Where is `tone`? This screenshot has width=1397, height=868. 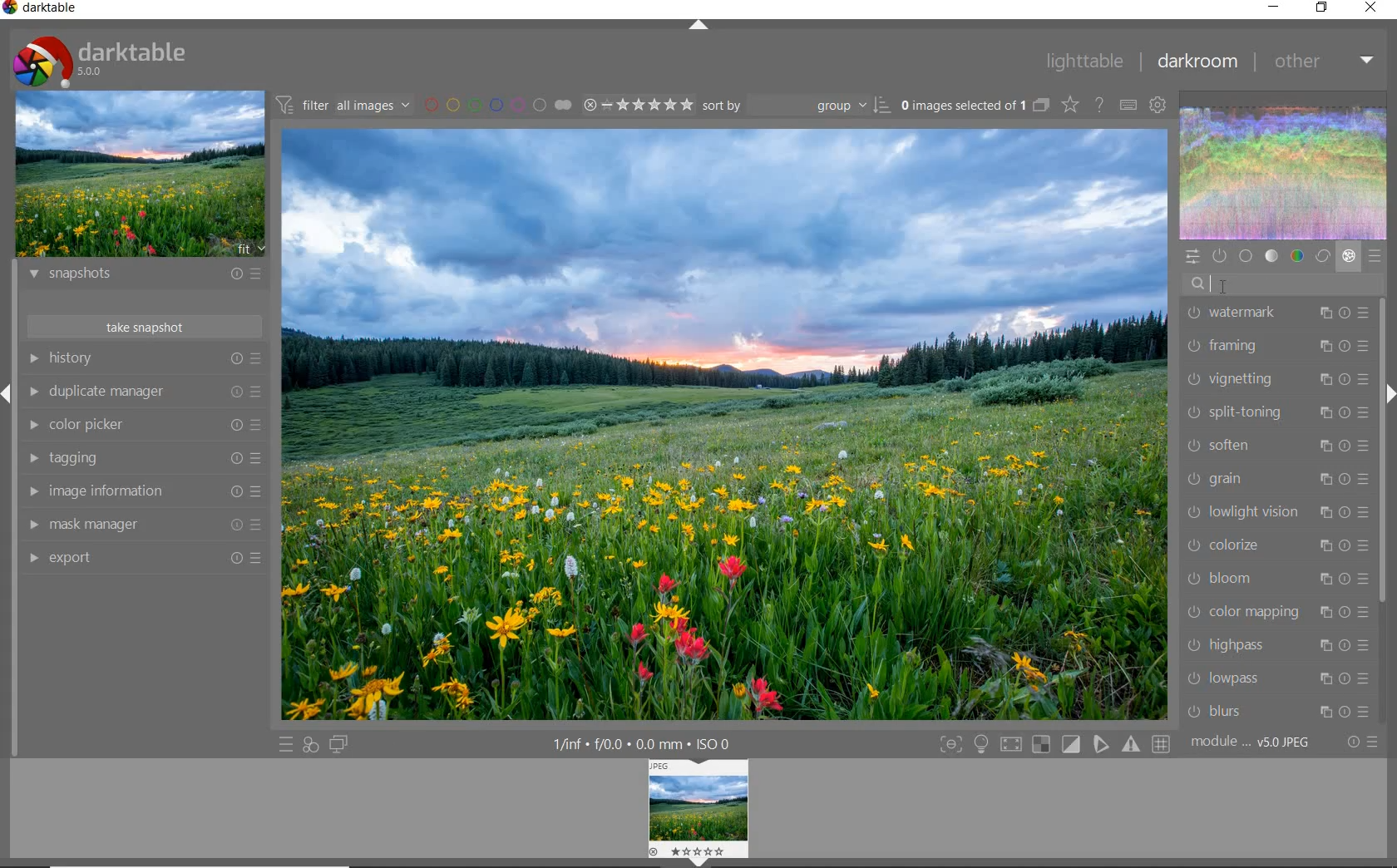
tone is located at coordinates (1272, 257).